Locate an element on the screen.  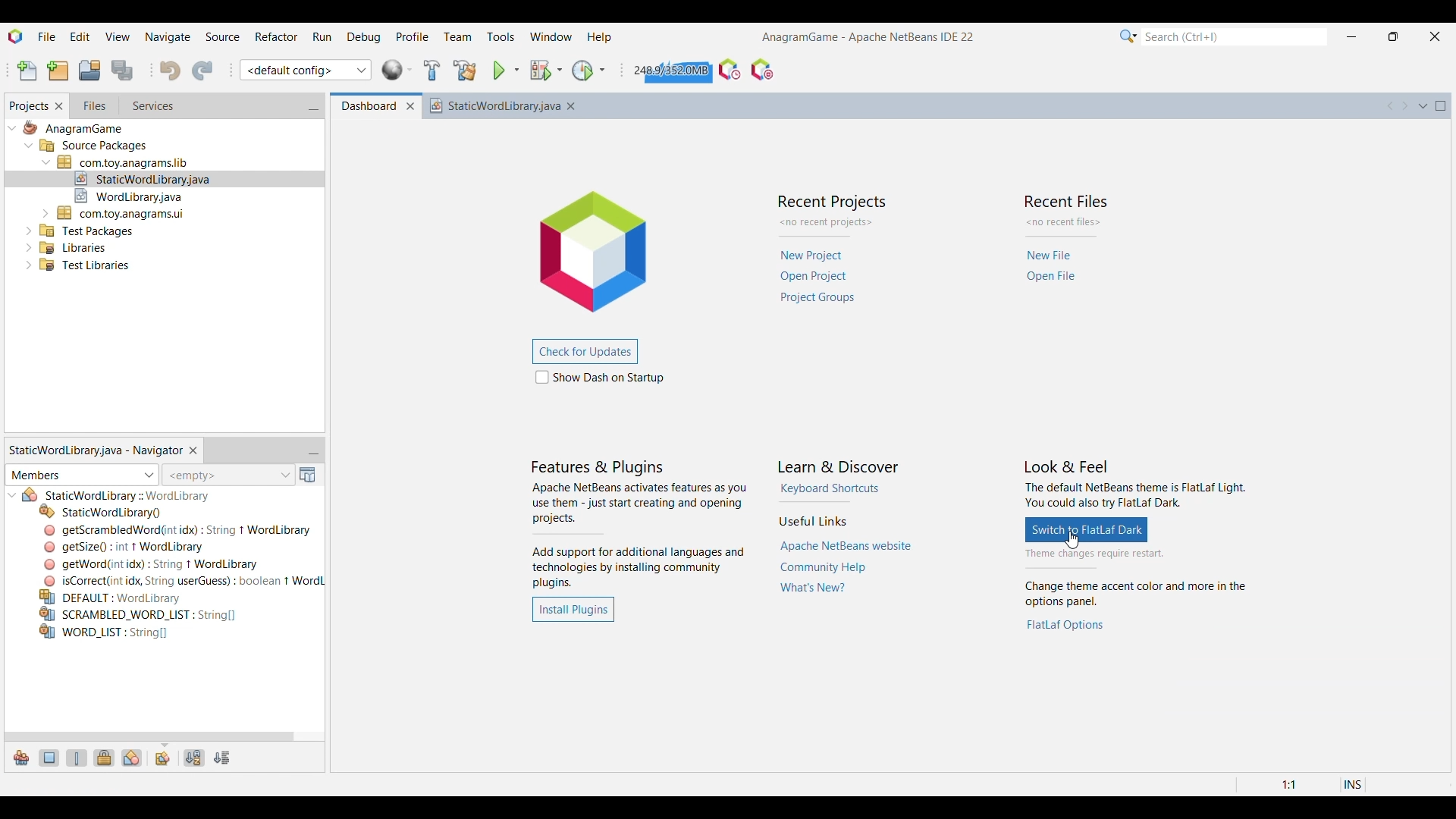
Source menu is located at coordinates (222, 36).